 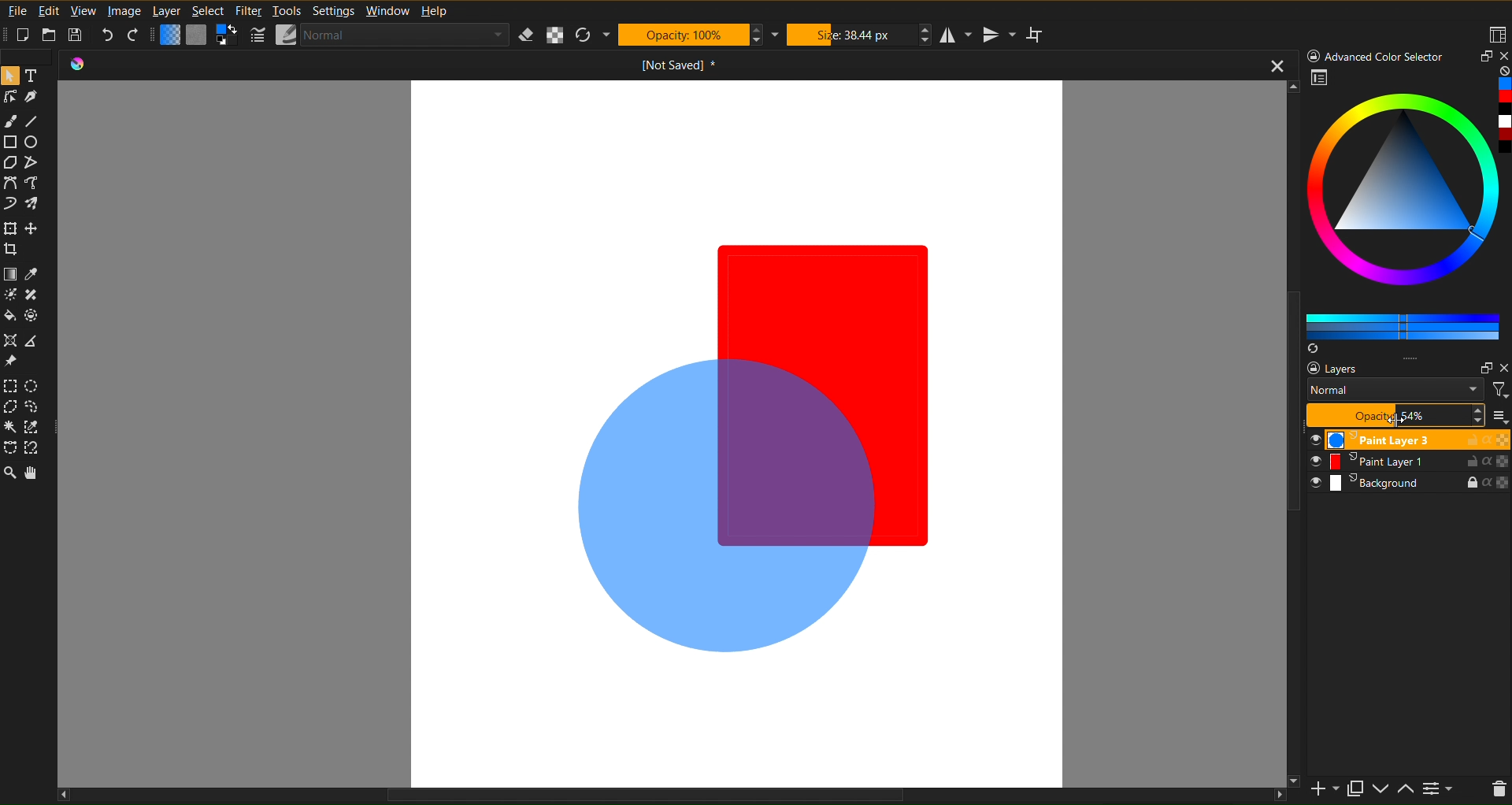 What do you see at coordinates (35, 339) in the screenshot?
I see `Reference Tool` at bounding box center [35, 339].